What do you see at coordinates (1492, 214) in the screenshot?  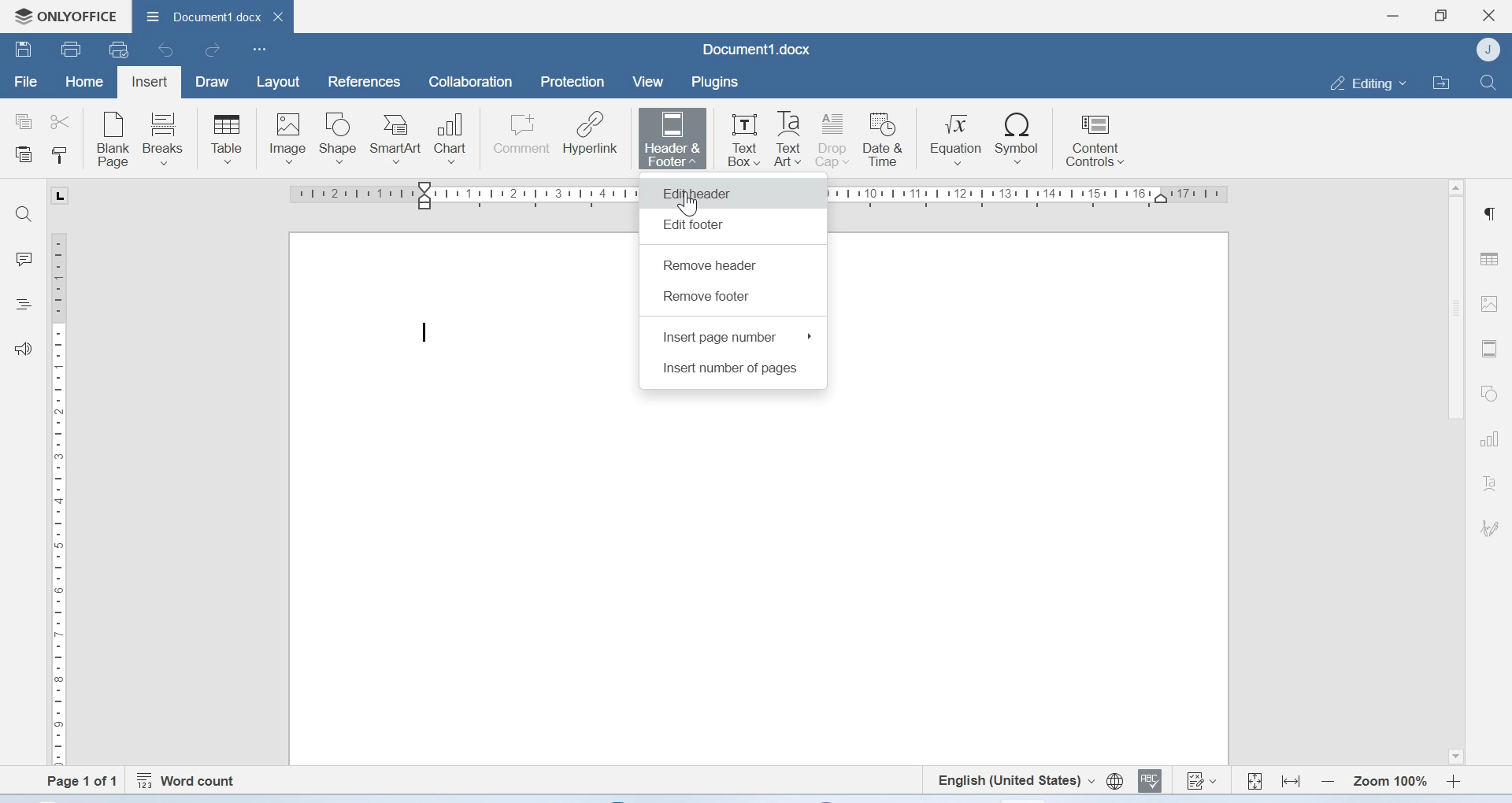 I see `Paragraph settings` at bounding box center [1492, 214].